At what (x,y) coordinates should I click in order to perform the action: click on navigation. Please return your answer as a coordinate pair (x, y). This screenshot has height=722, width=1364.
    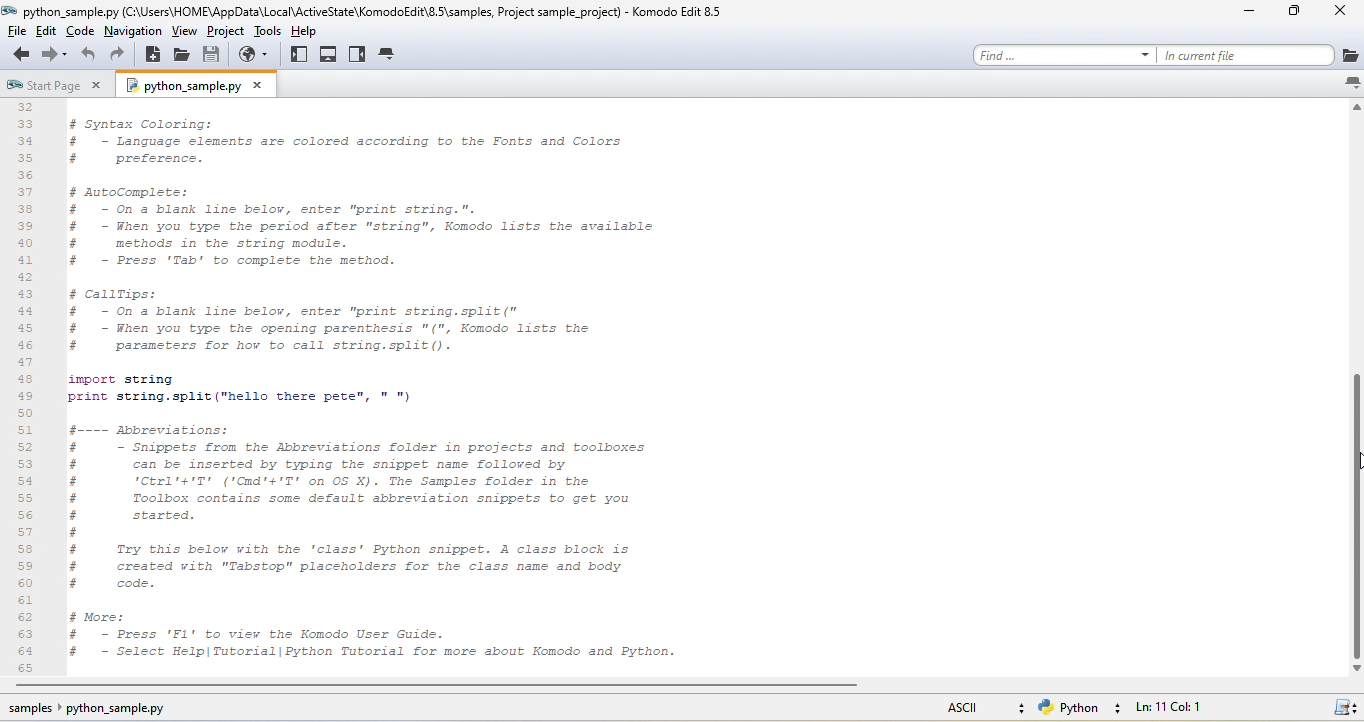
    Looking at the image, I should click on (132, 32).